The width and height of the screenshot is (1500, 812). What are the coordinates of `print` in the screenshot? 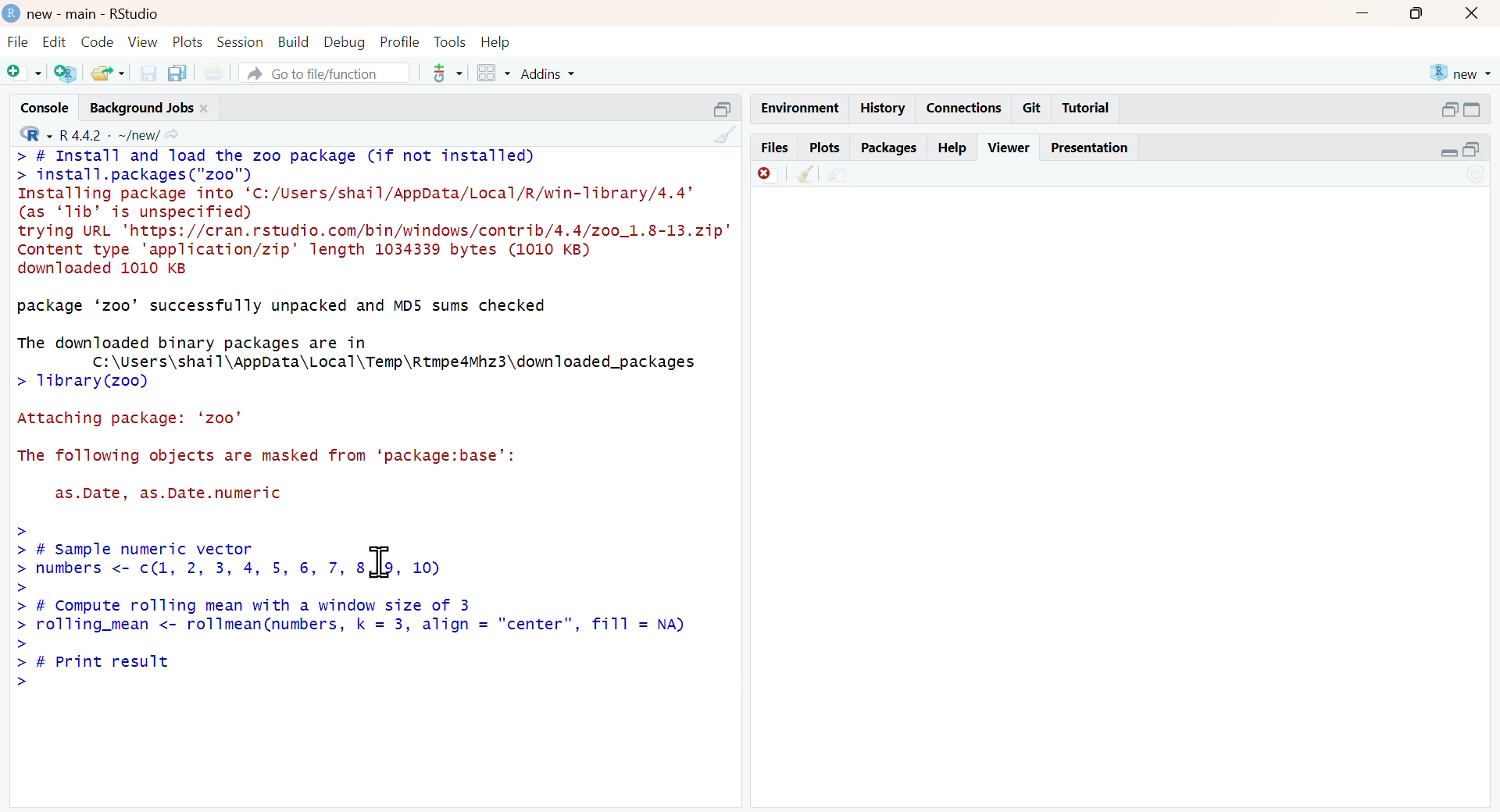 It's located at (216, 72).